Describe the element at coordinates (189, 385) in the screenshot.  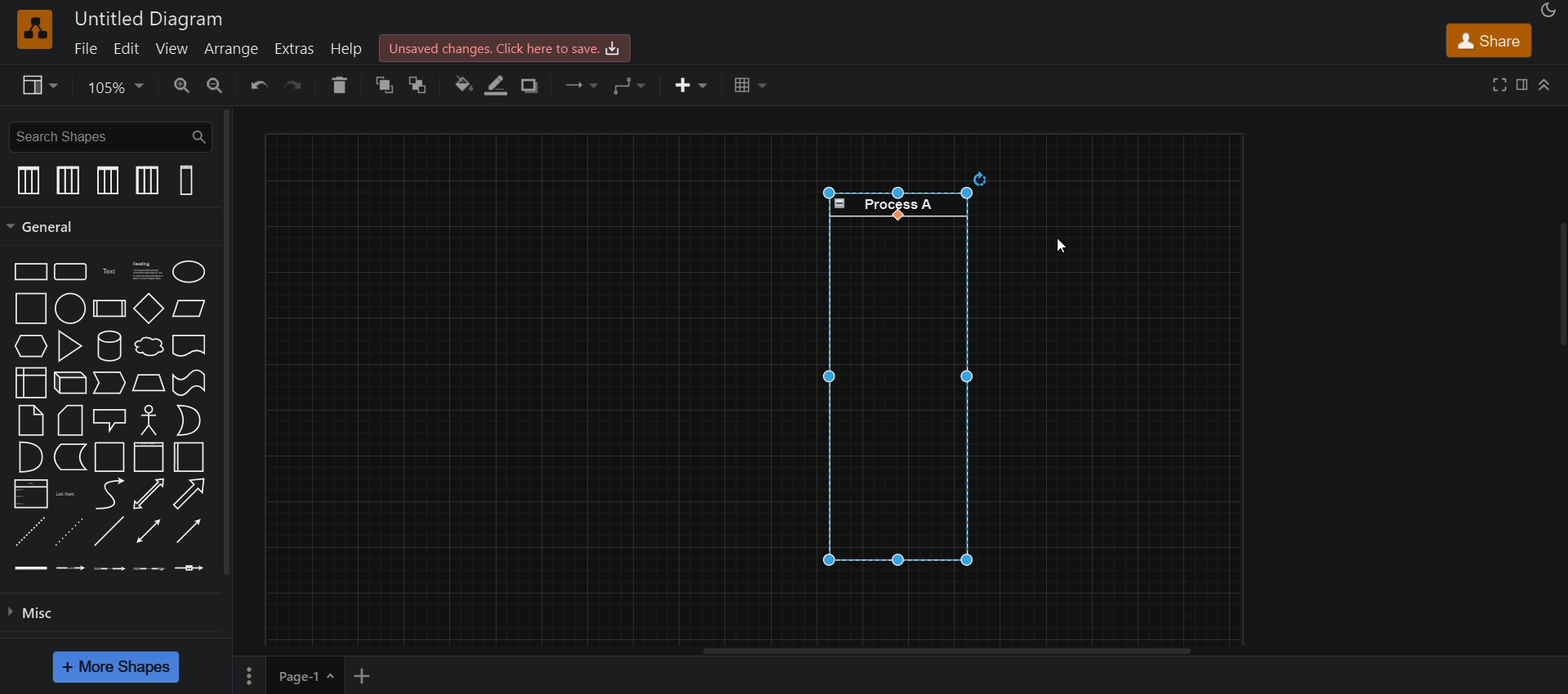
I see `tape` at that location.